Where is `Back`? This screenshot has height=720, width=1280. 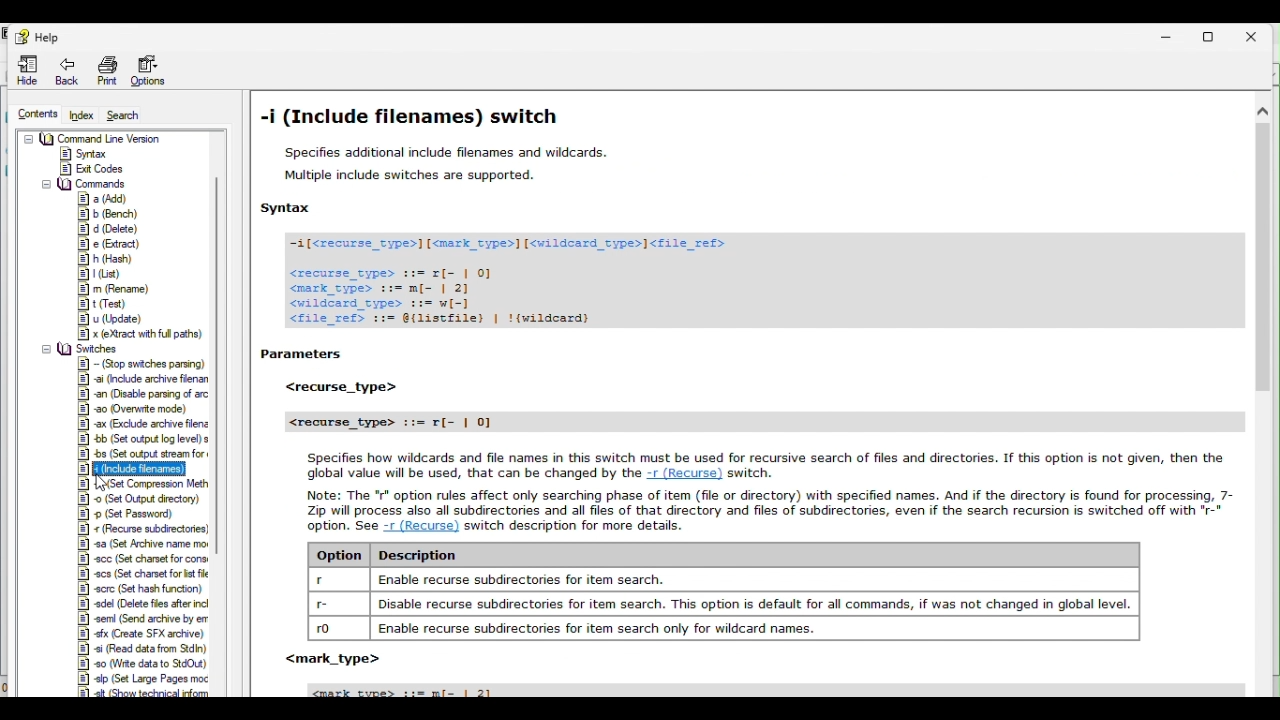
Back is located at coordinates (68, 67).